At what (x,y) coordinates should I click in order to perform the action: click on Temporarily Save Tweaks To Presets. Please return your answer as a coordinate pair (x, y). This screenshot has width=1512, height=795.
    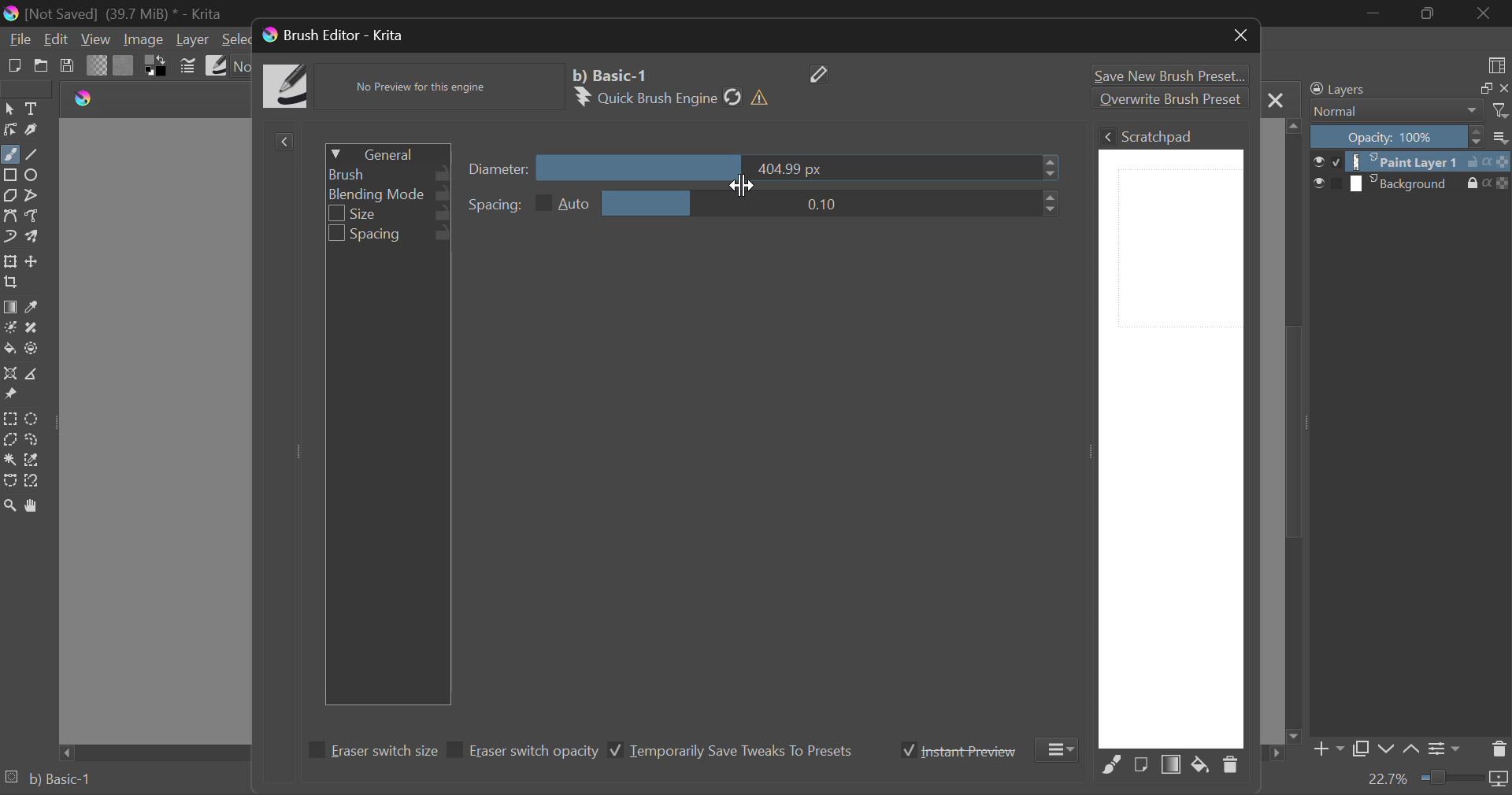
    Looking at the image, I should click on (731, 751).